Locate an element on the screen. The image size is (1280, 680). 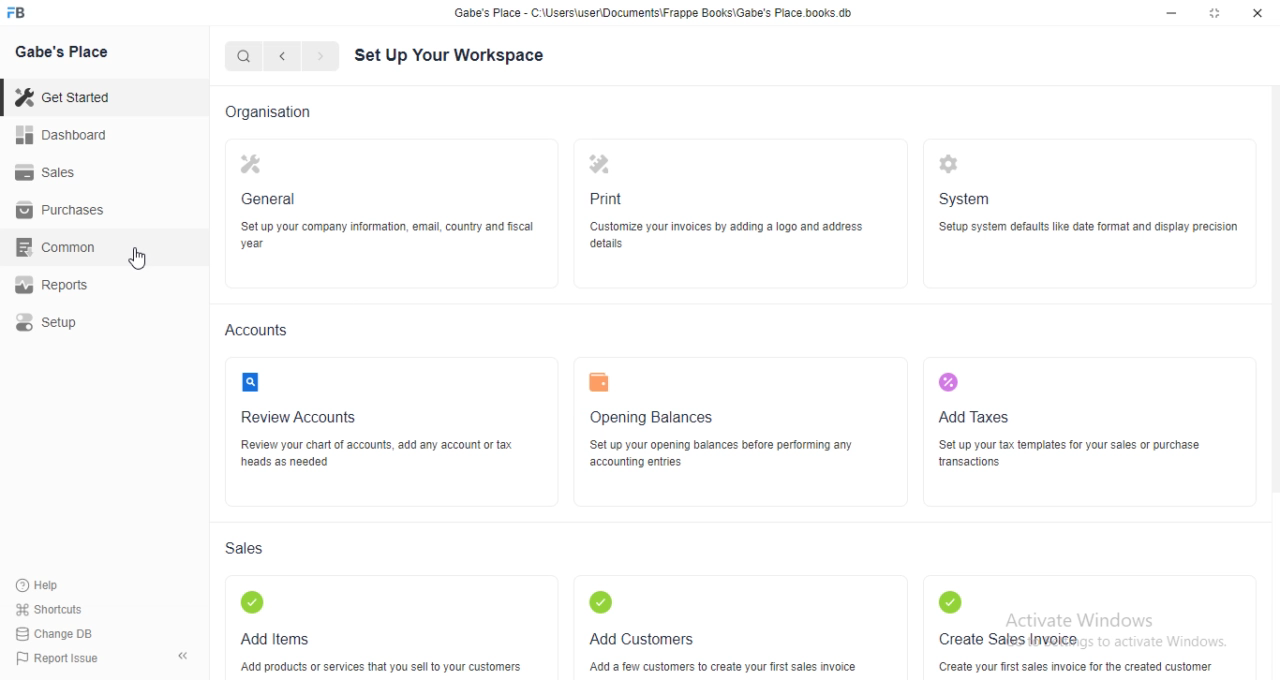
‘Add a few customers to create your first sales invoice is located at coordinates (723, 664).